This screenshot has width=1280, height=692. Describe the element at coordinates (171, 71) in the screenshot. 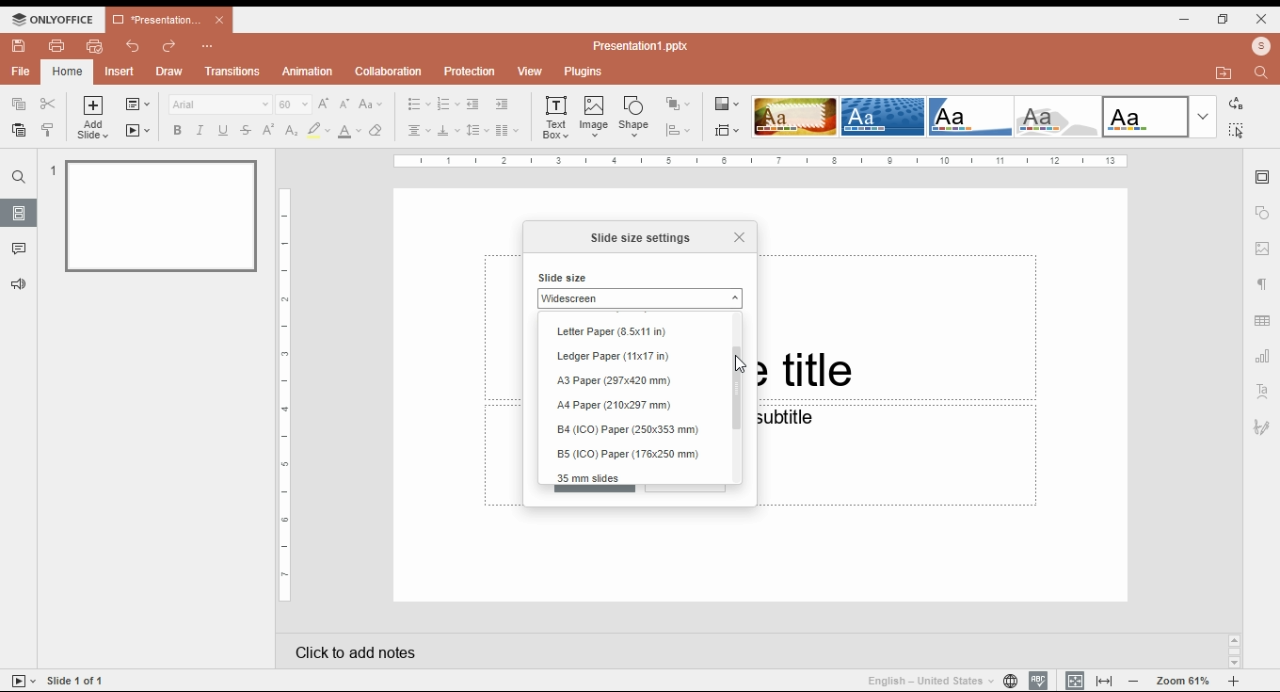

I see `draw` at that location.